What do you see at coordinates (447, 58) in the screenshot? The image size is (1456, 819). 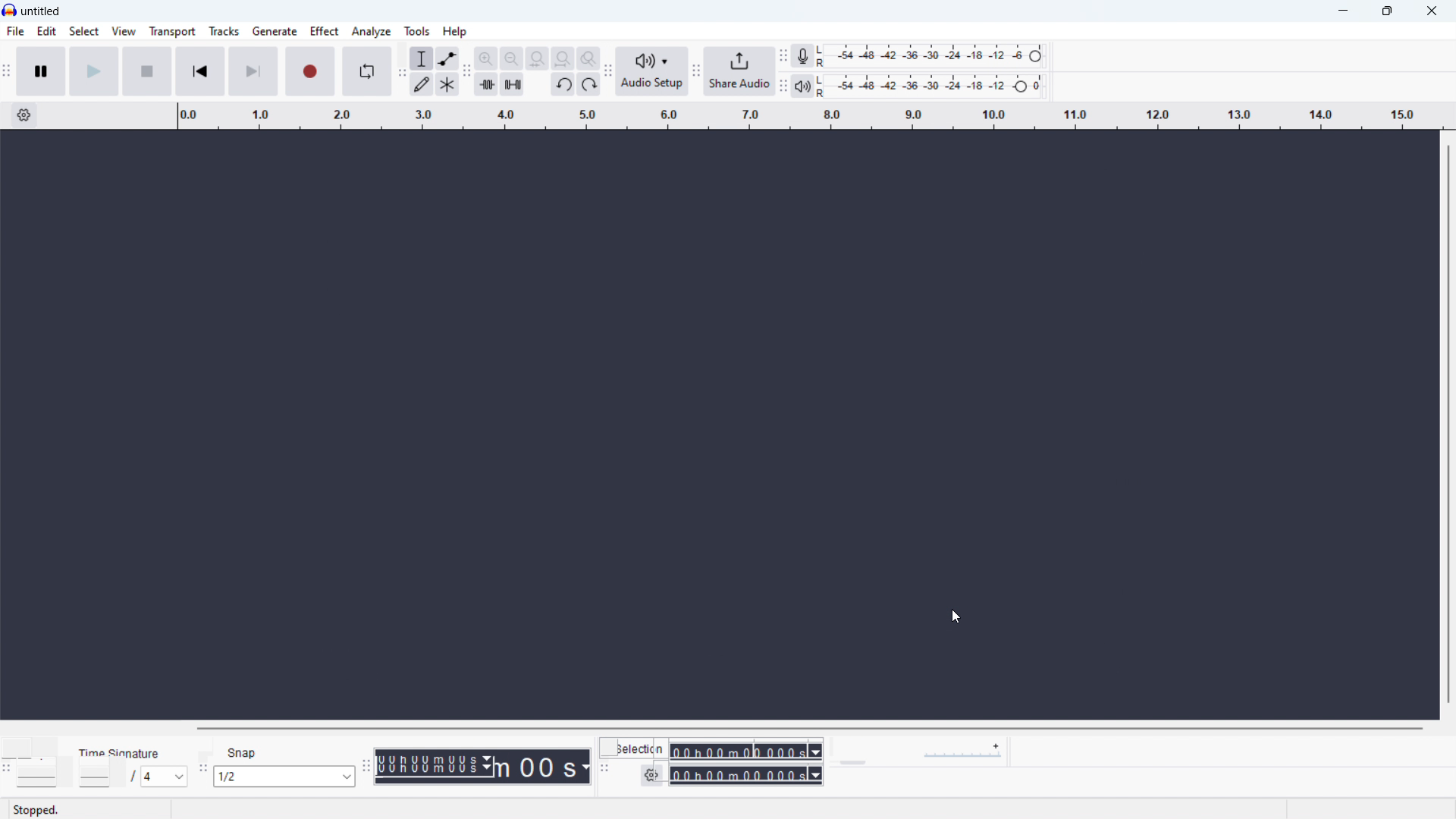 I see `envelop tool` at bounding box center [447, 58].